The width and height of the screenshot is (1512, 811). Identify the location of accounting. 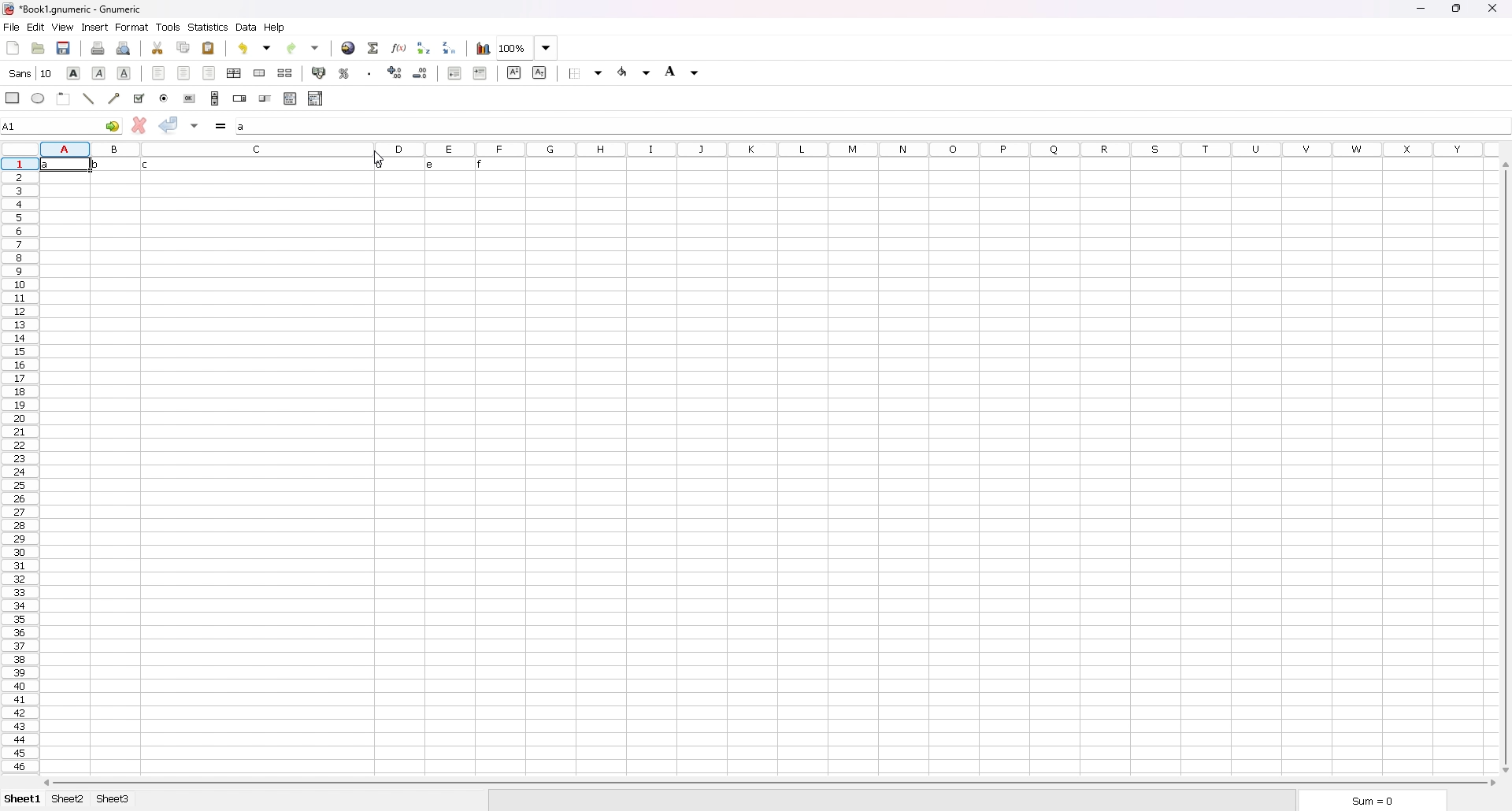
(320, 72).